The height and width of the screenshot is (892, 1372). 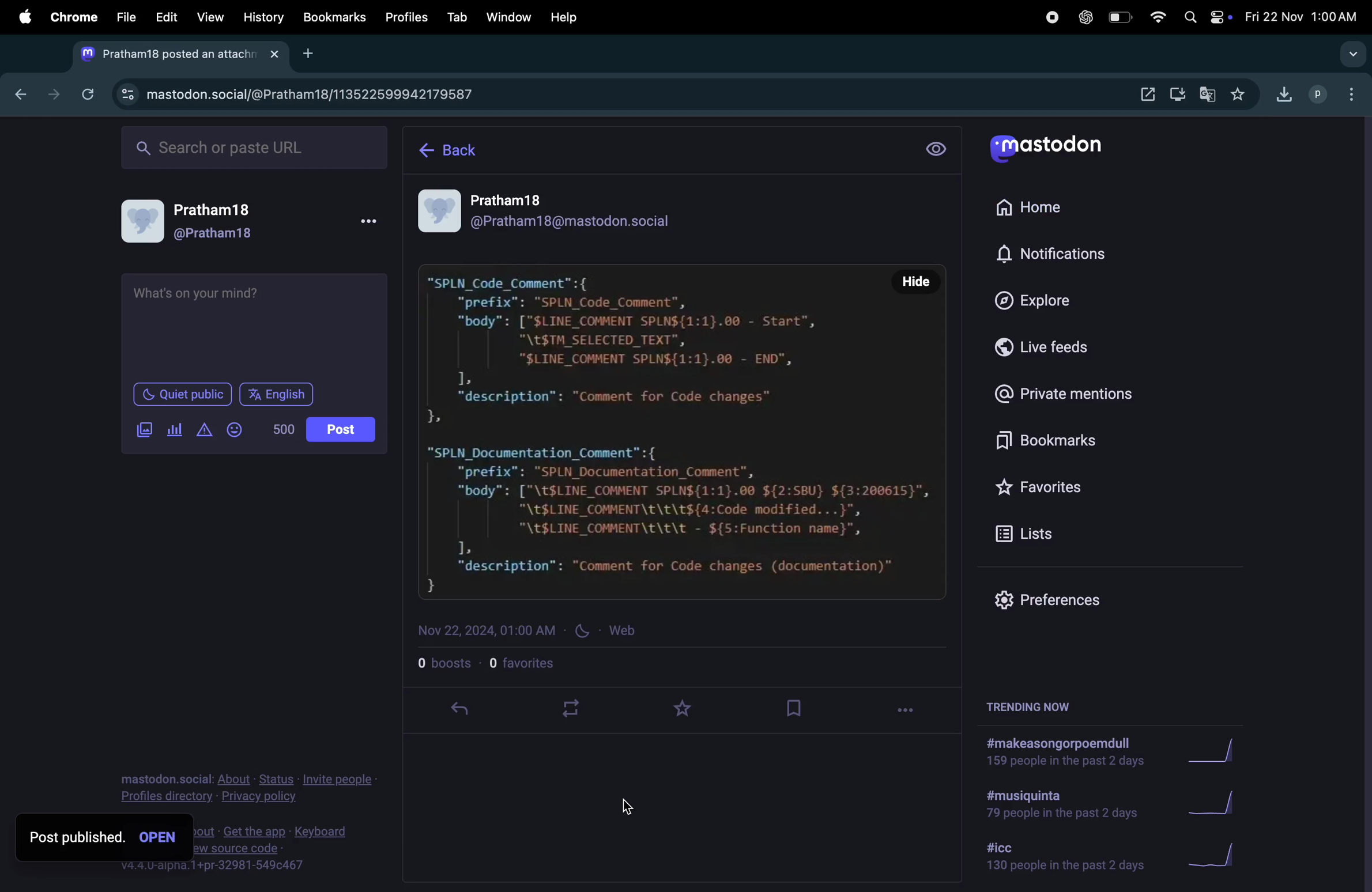 I want to click on date and time, so click(x=1301, y=14).